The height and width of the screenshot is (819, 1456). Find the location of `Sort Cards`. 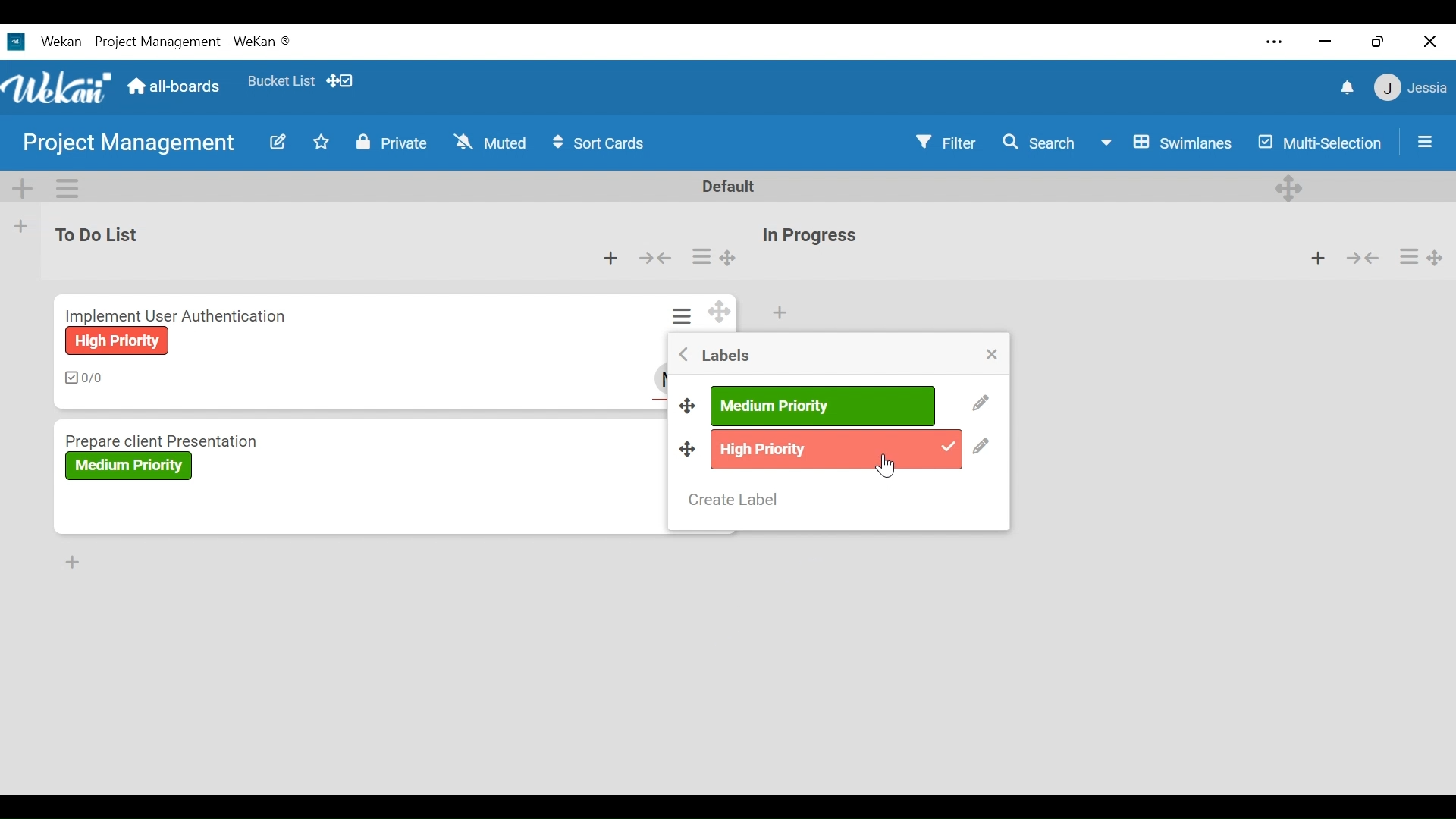

Sort Cards is located at coordinates (602, 143).